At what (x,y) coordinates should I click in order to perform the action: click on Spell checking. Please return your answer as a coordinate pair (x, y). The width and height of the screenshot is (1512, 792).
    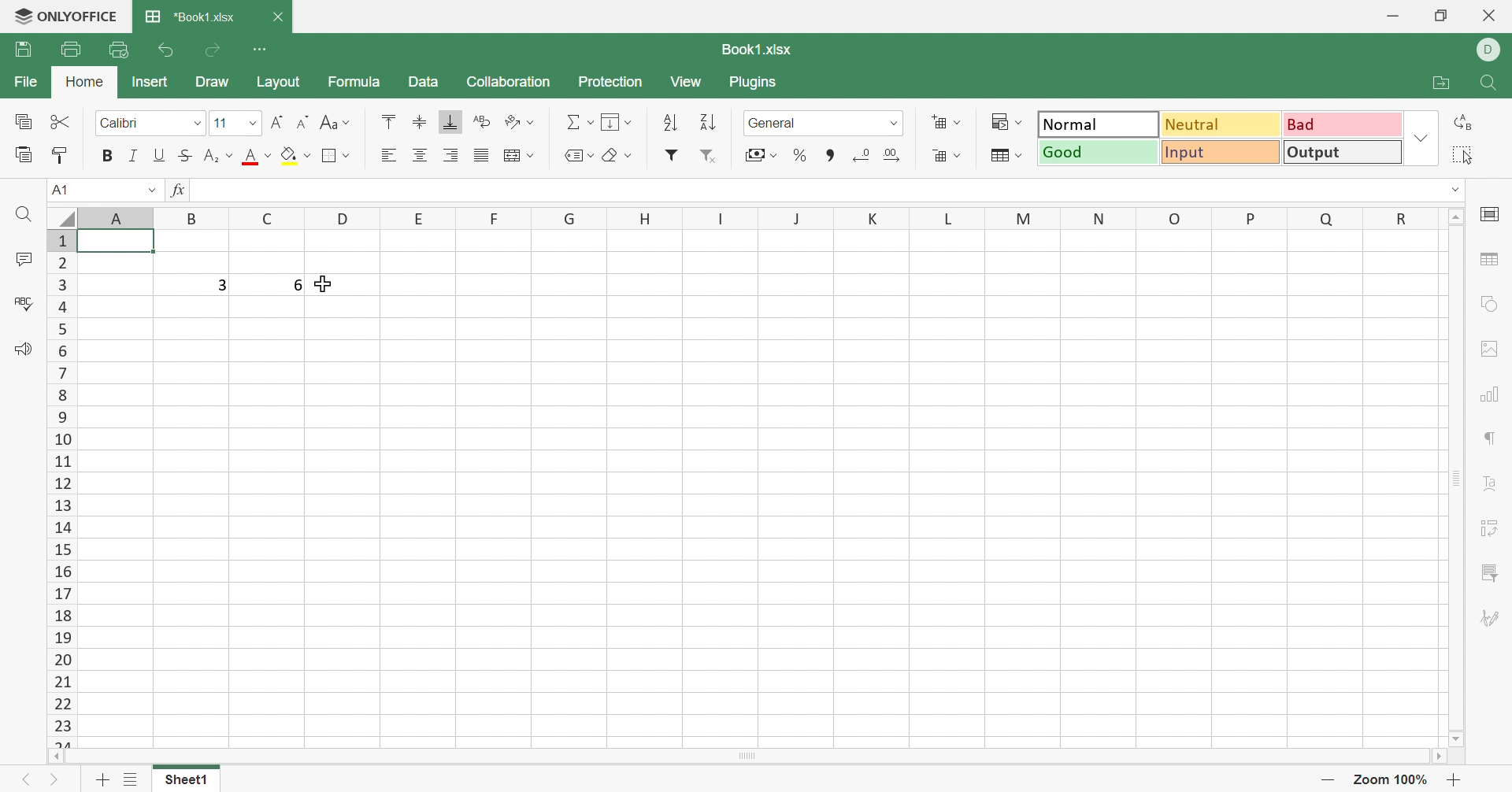
    Looking at the image, I should click on (26, 305).